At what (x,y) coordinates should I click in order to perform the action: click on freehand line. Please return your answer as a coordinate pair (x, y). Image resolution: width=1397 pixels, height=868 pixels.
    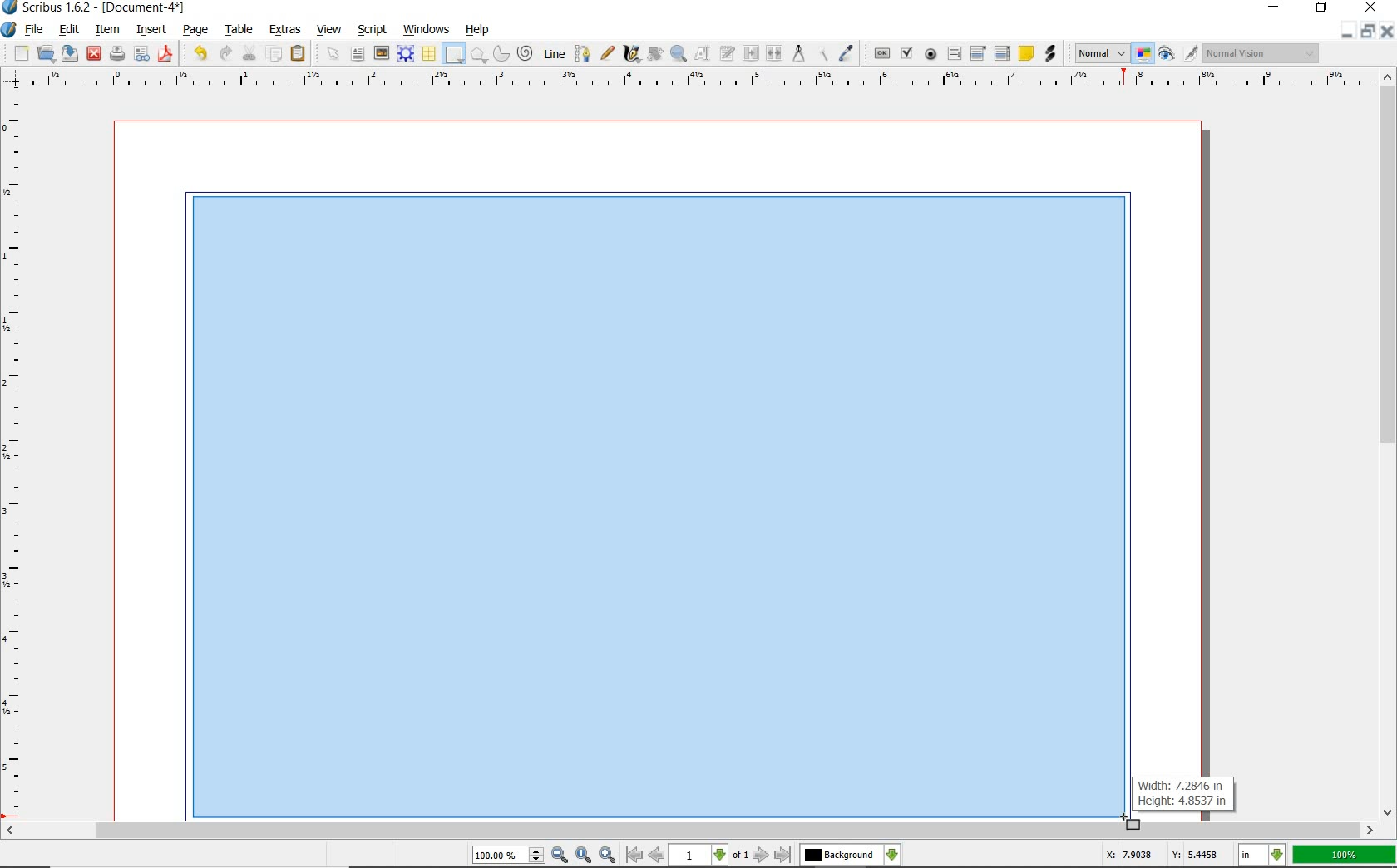
    Looking at the image, I should click on (609, 54).